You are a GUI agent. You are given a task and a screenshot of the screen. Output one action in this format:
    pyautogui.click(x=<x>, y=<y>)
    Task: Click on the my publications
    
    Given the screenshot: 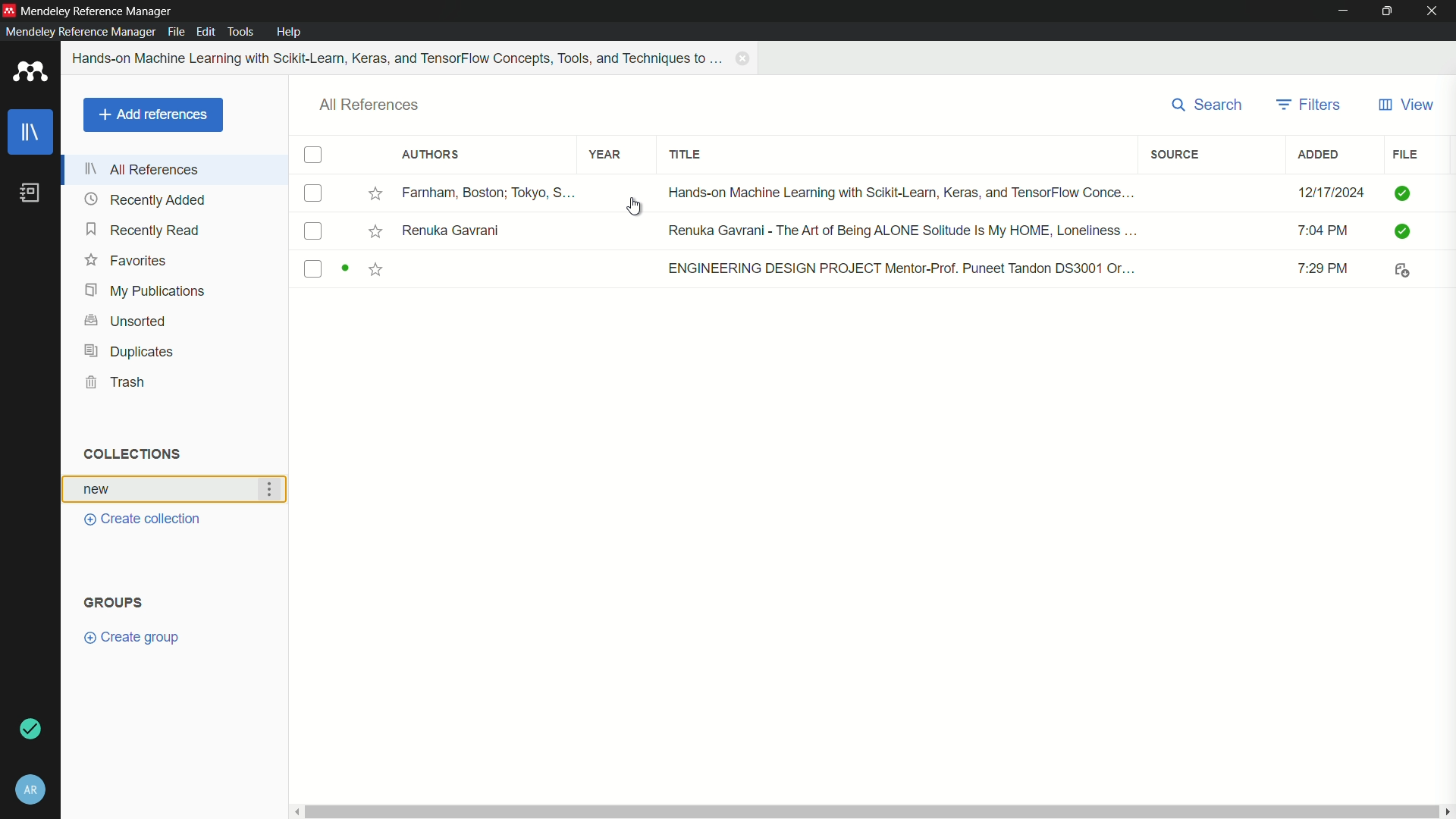 What is the action you would take?
    pyautogui.click(x=143, y=291)
    